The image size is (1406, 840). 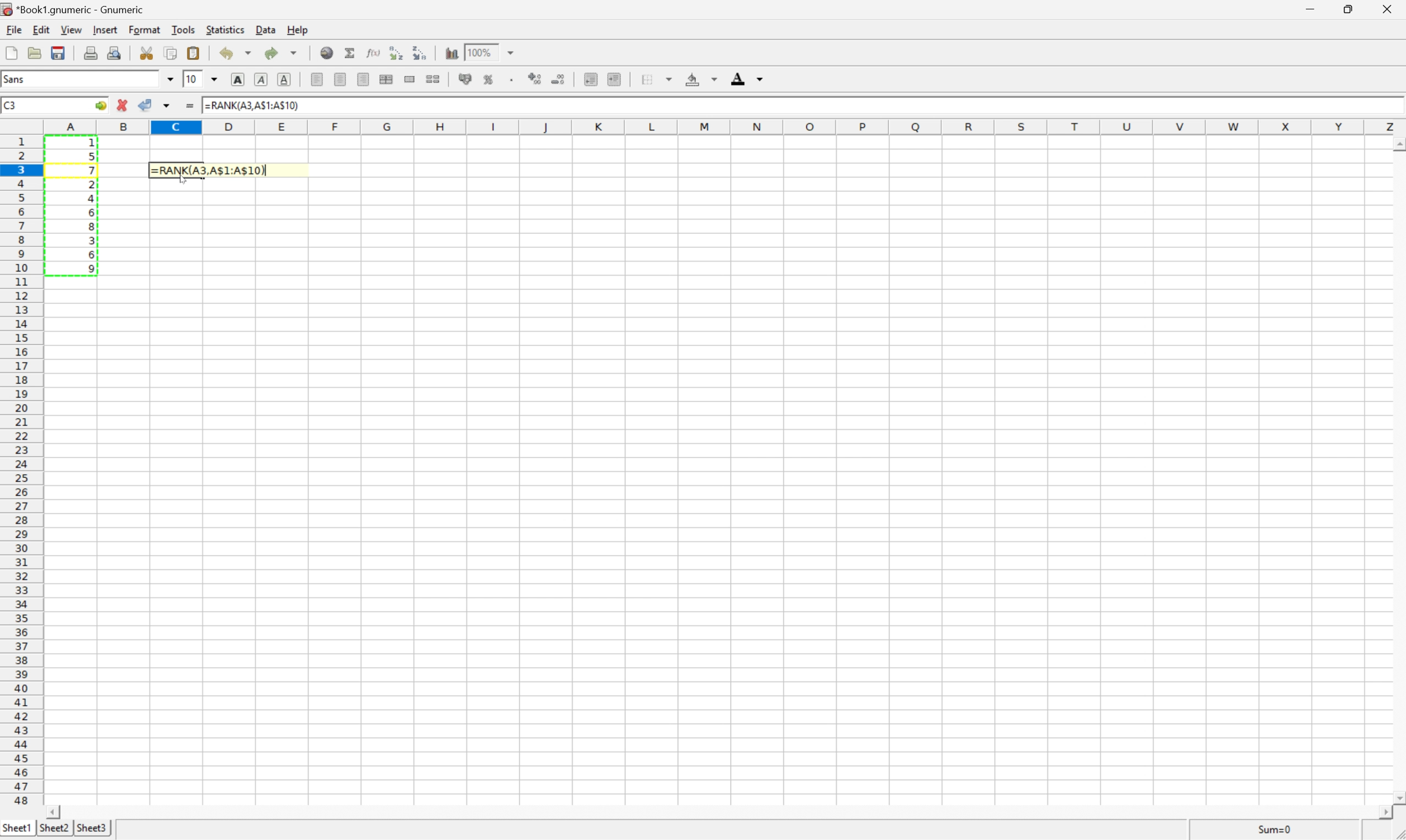 I want to click on align left, so click(x=317, y=80).